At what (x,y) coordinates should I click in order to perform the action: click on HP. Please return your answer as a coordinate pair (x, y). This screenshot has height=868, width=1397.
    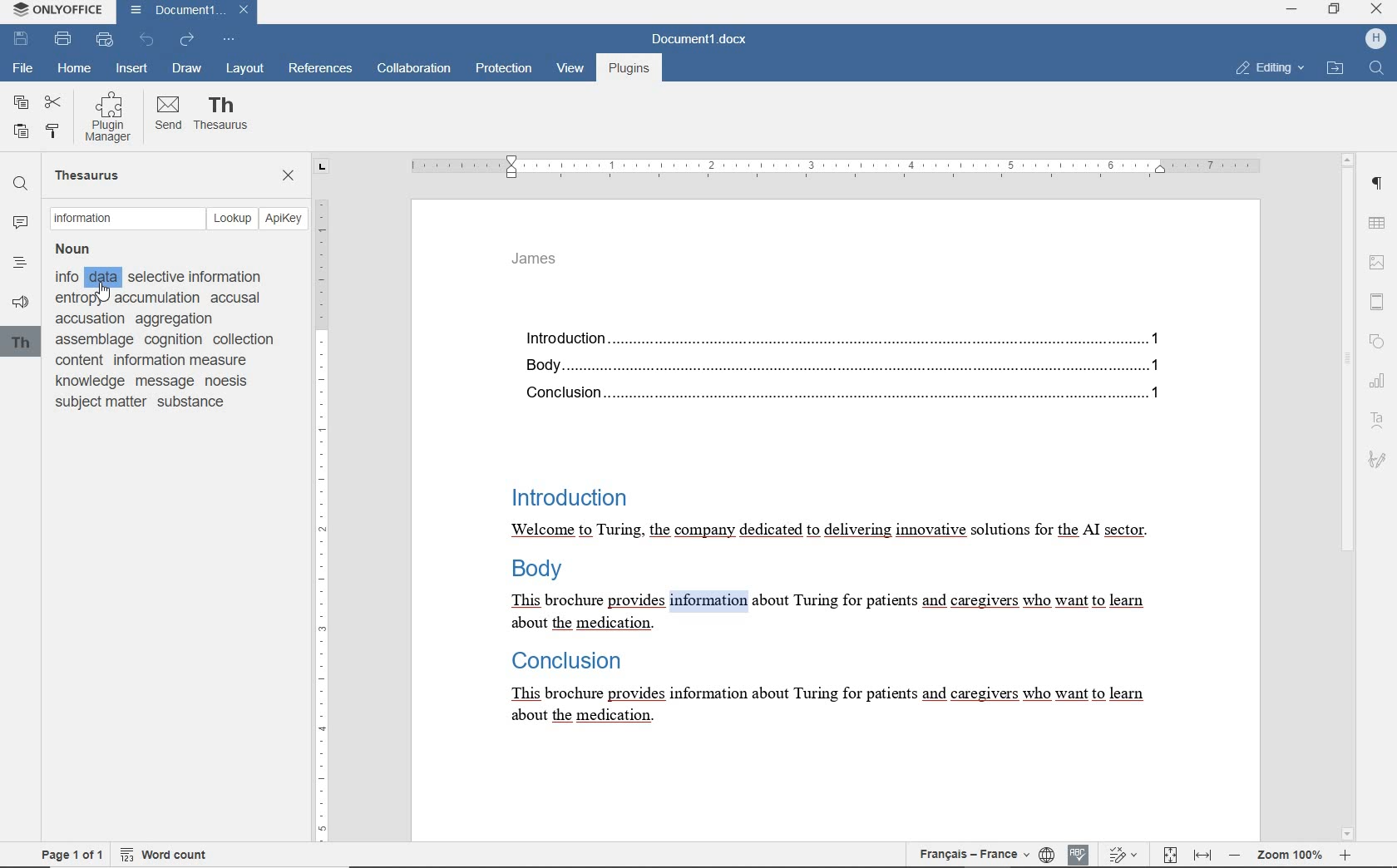
    Looking at the image, I should click on (1294, 10).